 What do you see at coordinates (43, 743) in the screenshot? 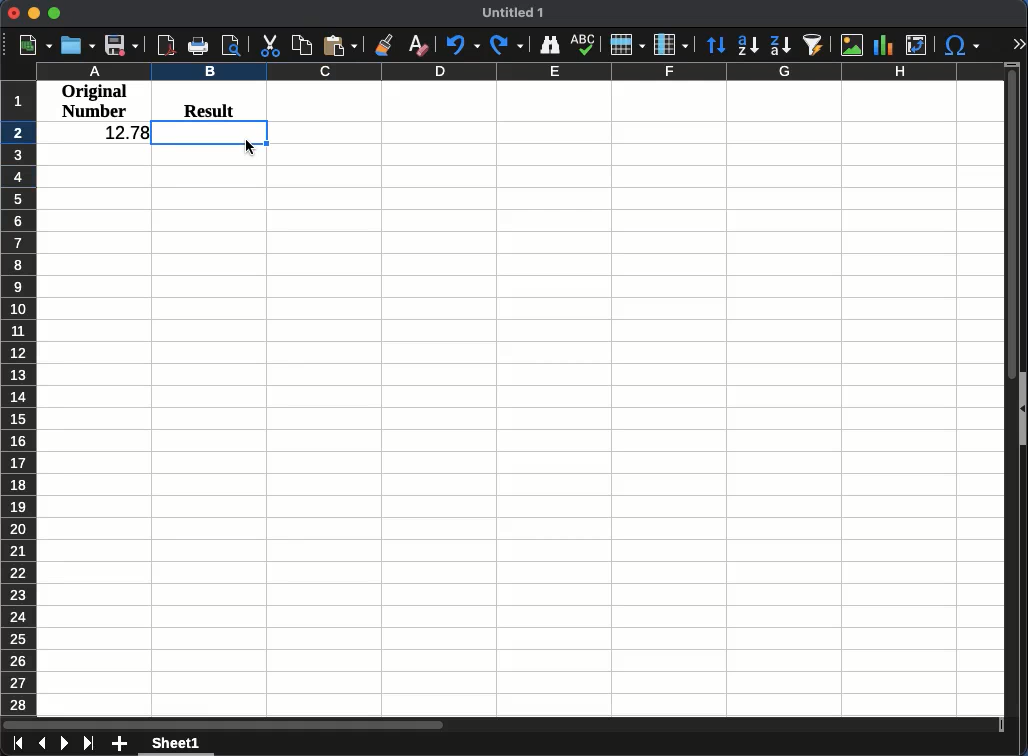
I see `previous sheet` at bounding box center [43, 743].